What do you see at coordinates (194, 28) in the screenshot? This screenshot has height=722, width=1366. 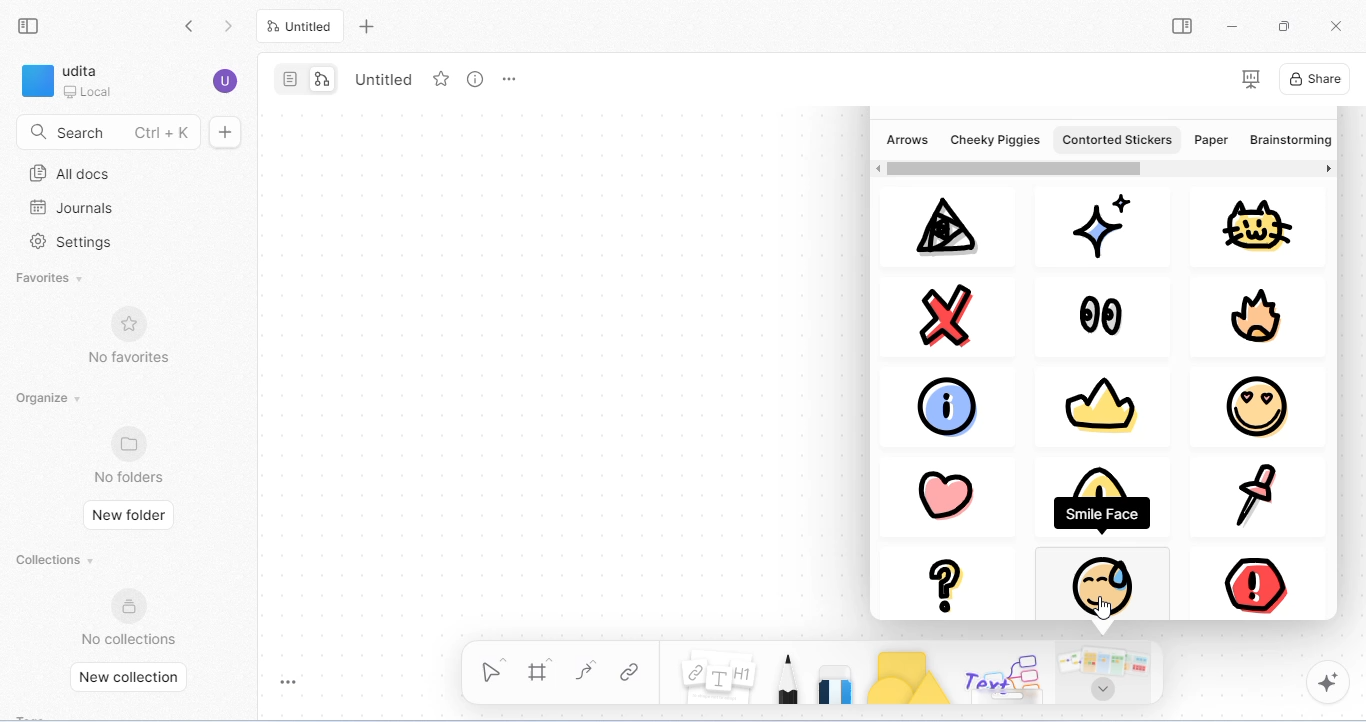 I see `go back` at bounding box center [194, 28].